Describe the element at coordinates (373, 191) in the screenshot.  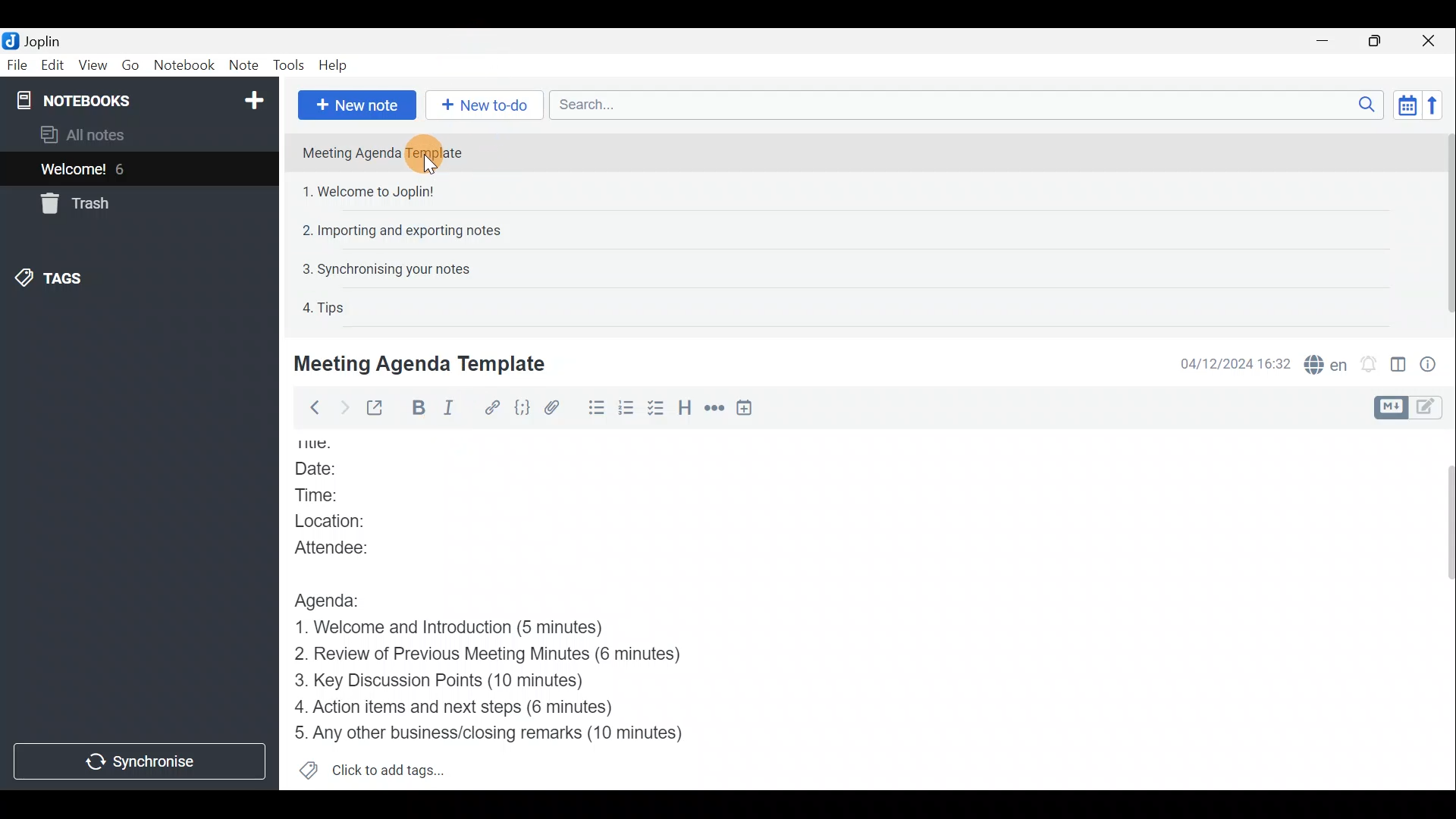
I see `1. Welcome to Joplin!` at that location.